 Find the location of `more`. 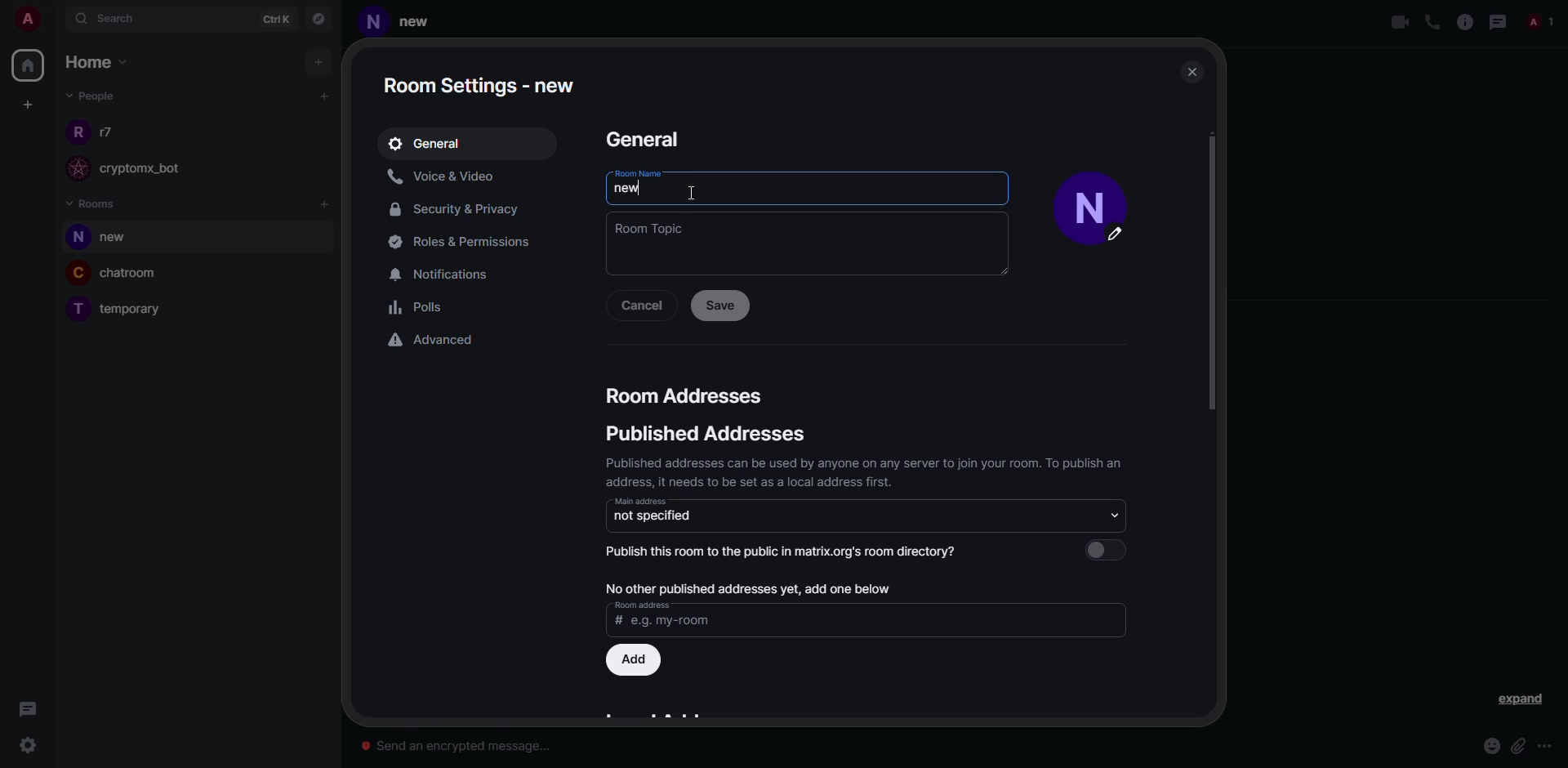

more is located at coordinates (1547, 747).